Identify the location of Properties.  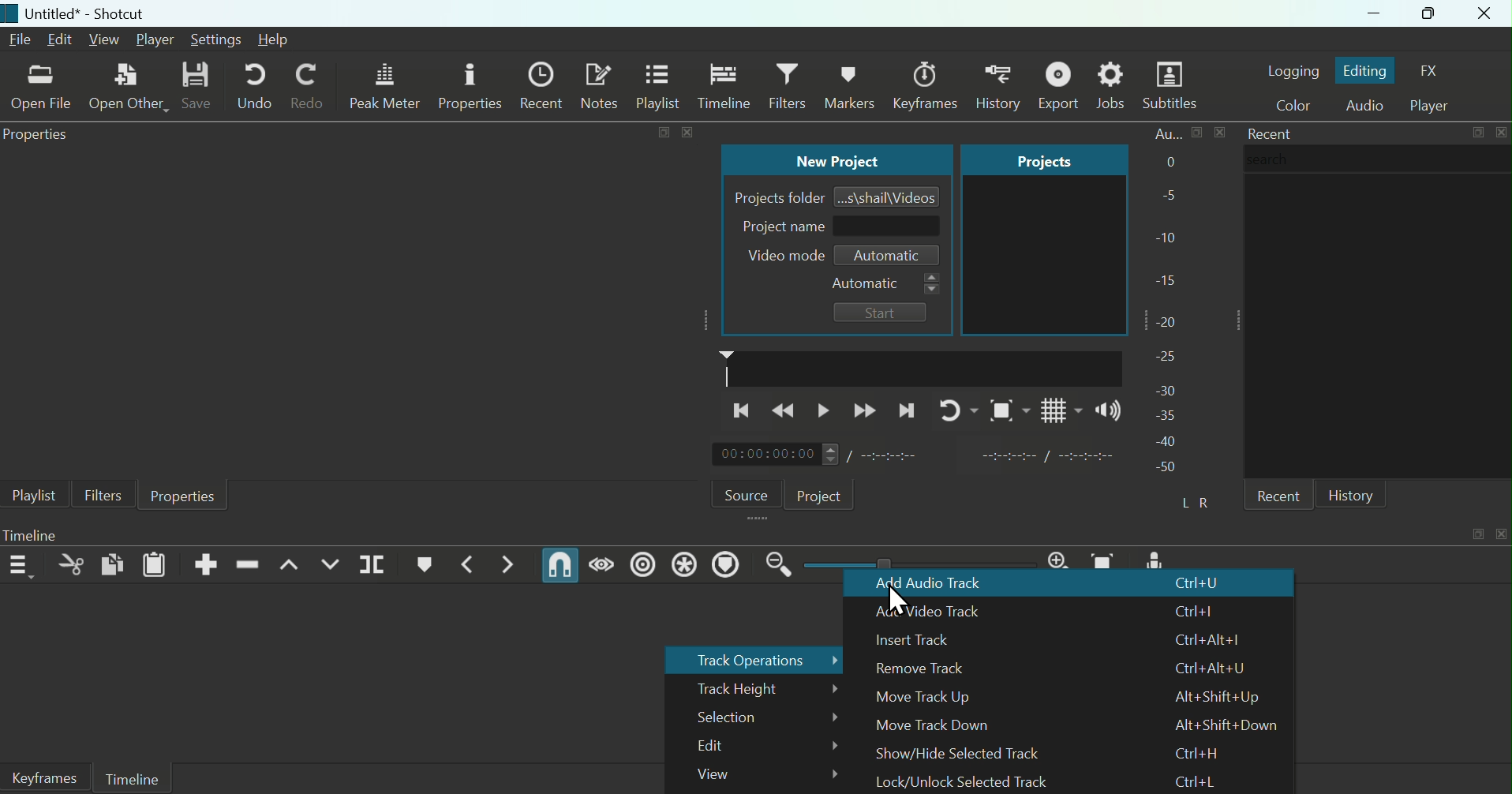
(184, 496).